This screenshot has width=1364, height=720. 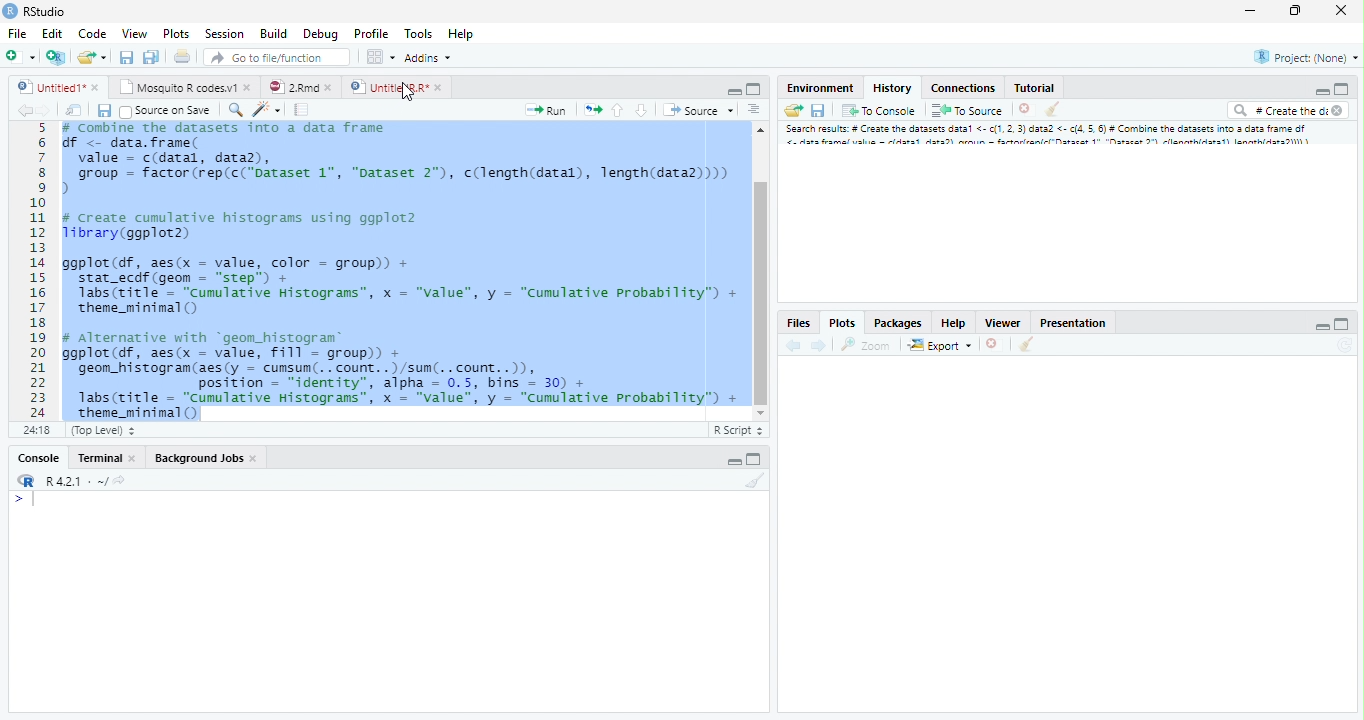 I want to click on Minimize, so click(x=1321, y=92).